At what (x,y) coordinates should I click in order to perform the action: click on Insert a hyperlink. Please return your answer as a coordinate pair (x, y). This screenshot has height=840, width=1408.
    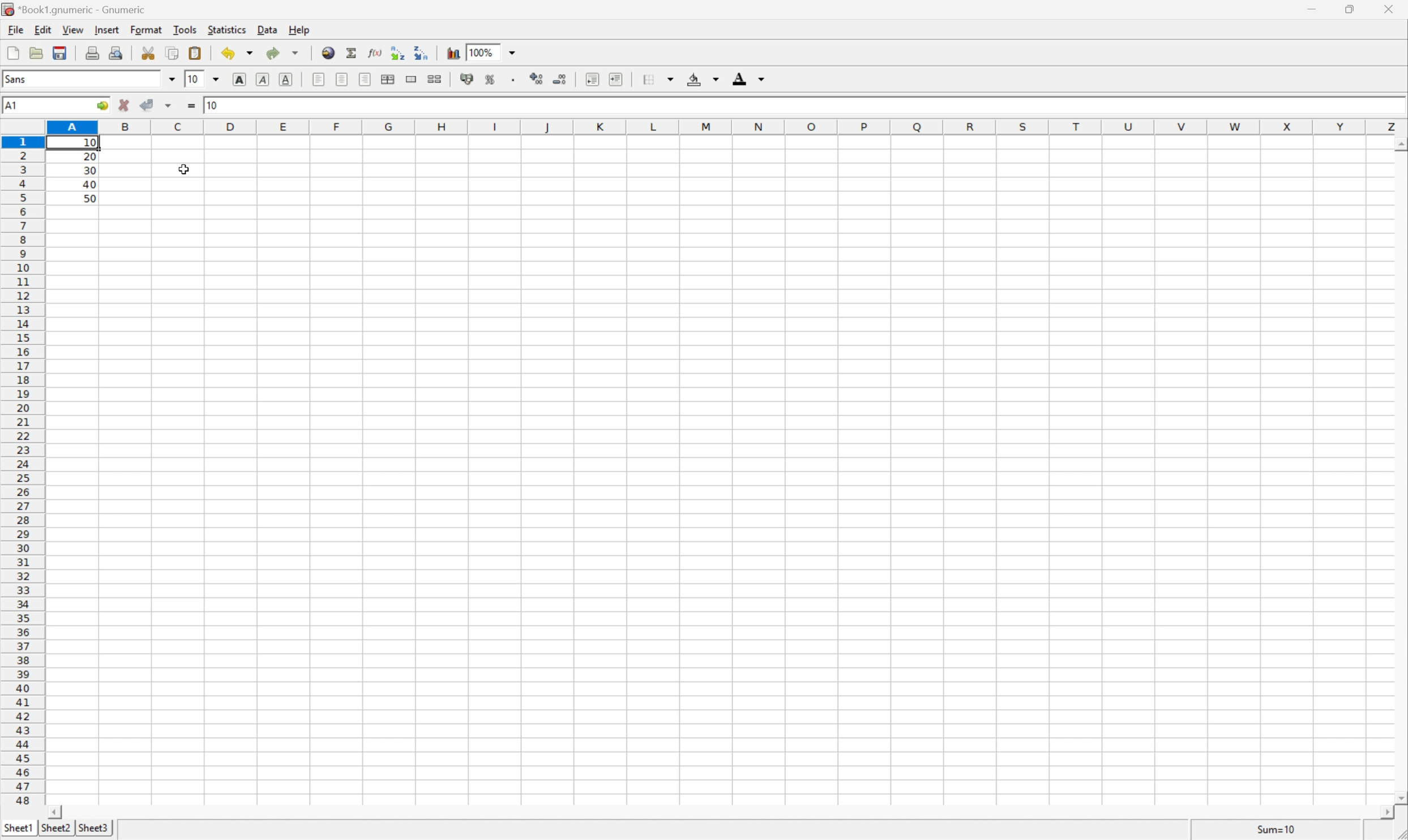
    Looking at the image, I should click on (327, 53).